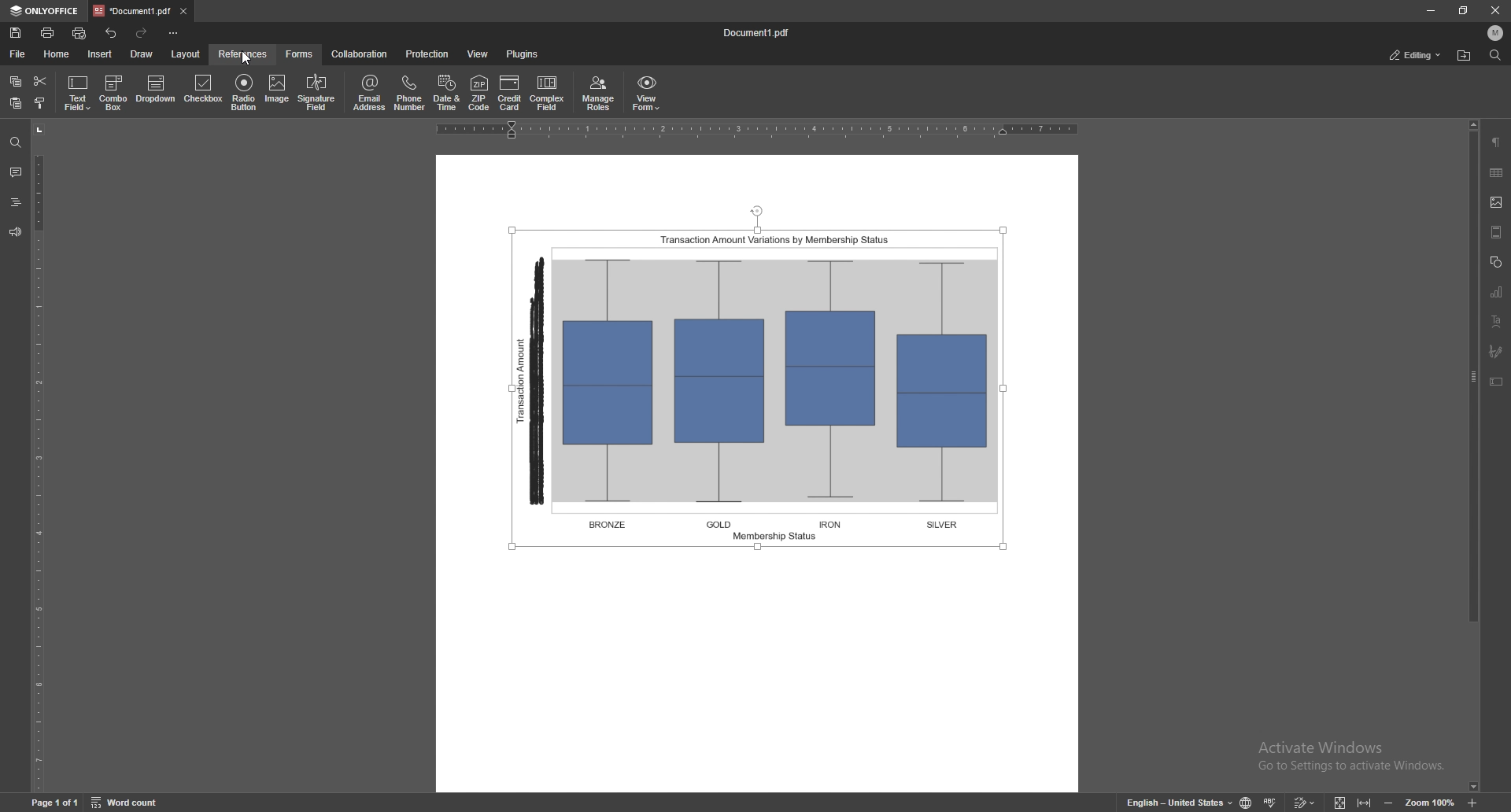 The height and width of the screenshot is (812, 1511). What do you see at coordinates (242, 54) in the screenshot?
I see `references` at bounding box center [242, 54].